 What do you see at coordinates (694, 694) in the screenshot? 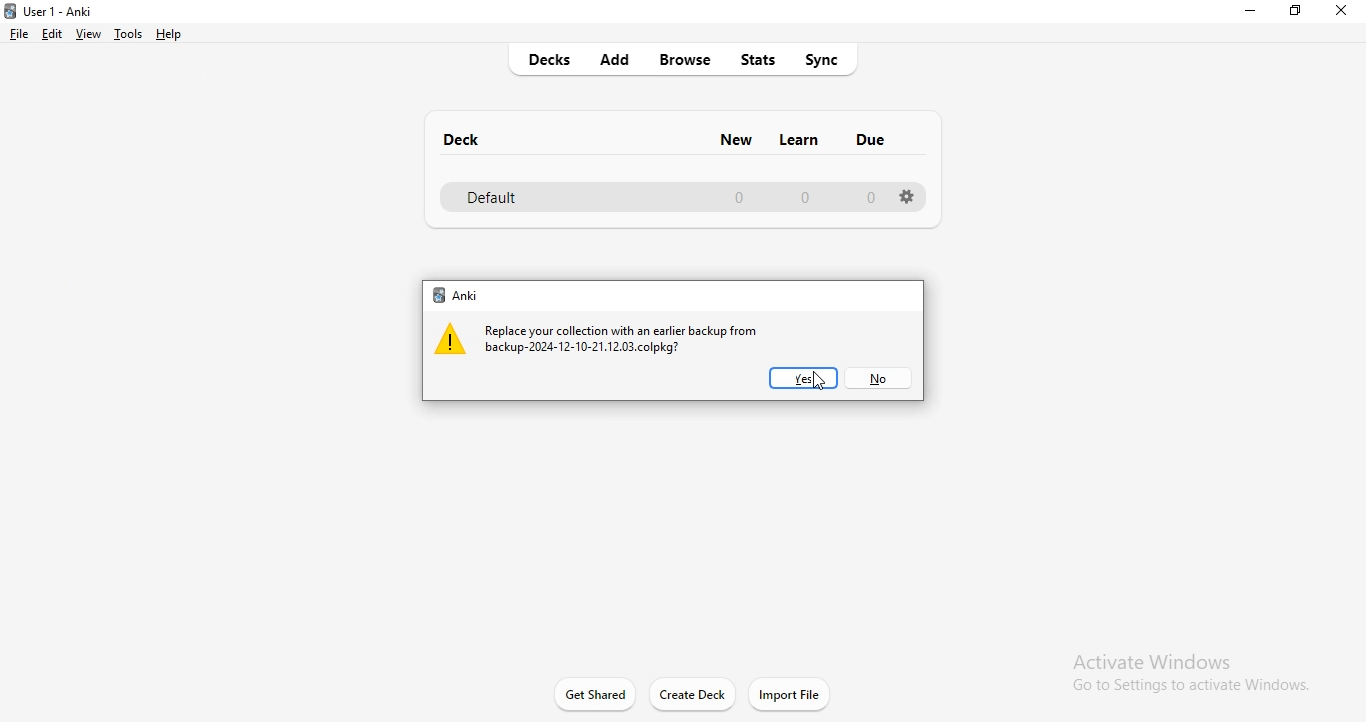
I see `create deck` at bounding box center [694, 694].